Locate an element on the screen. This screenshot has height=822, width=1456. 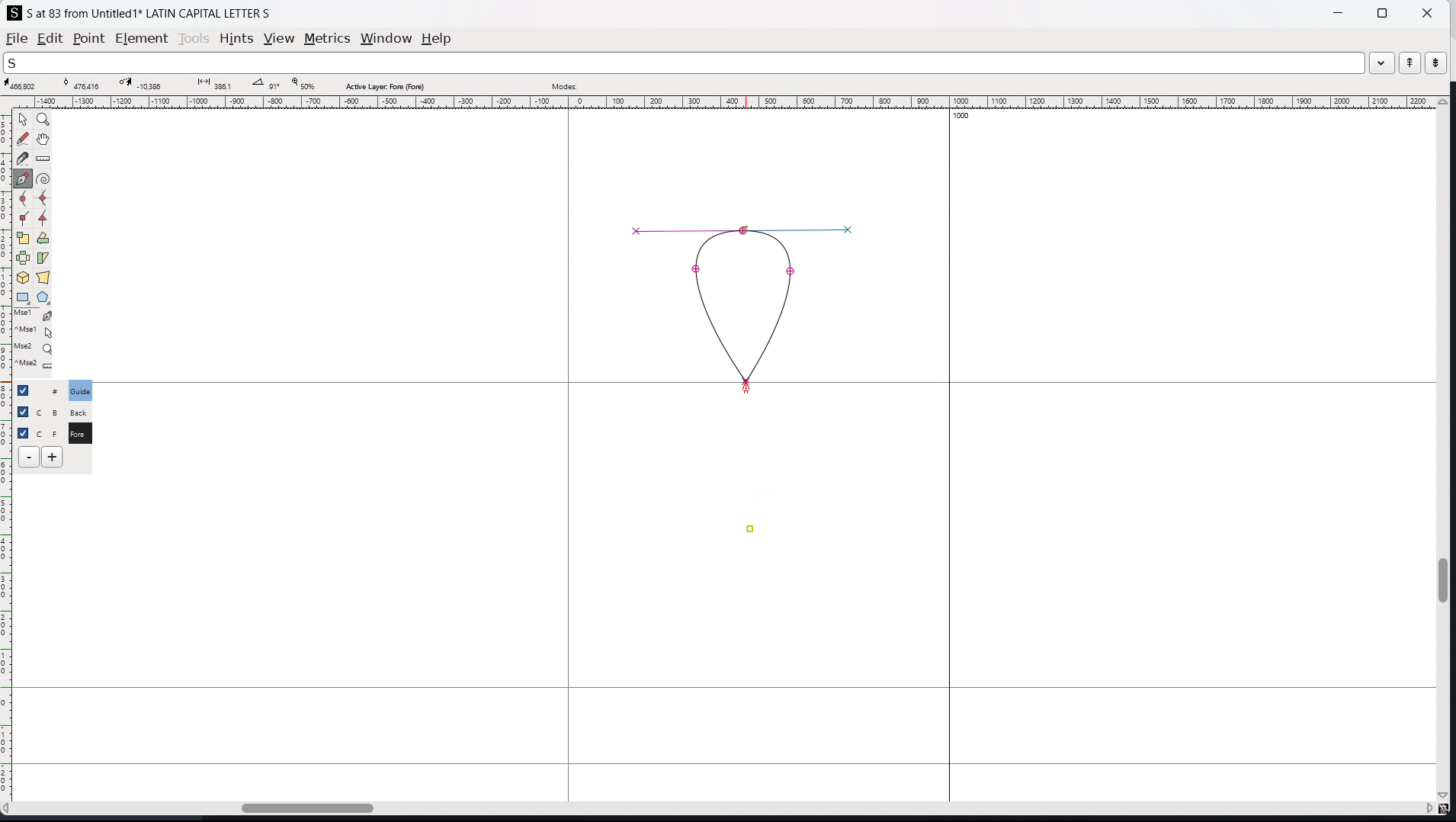
S at 83 from Untitled 1 LATIN CAPITAL LETTER S is located at coordinates (149, 12).